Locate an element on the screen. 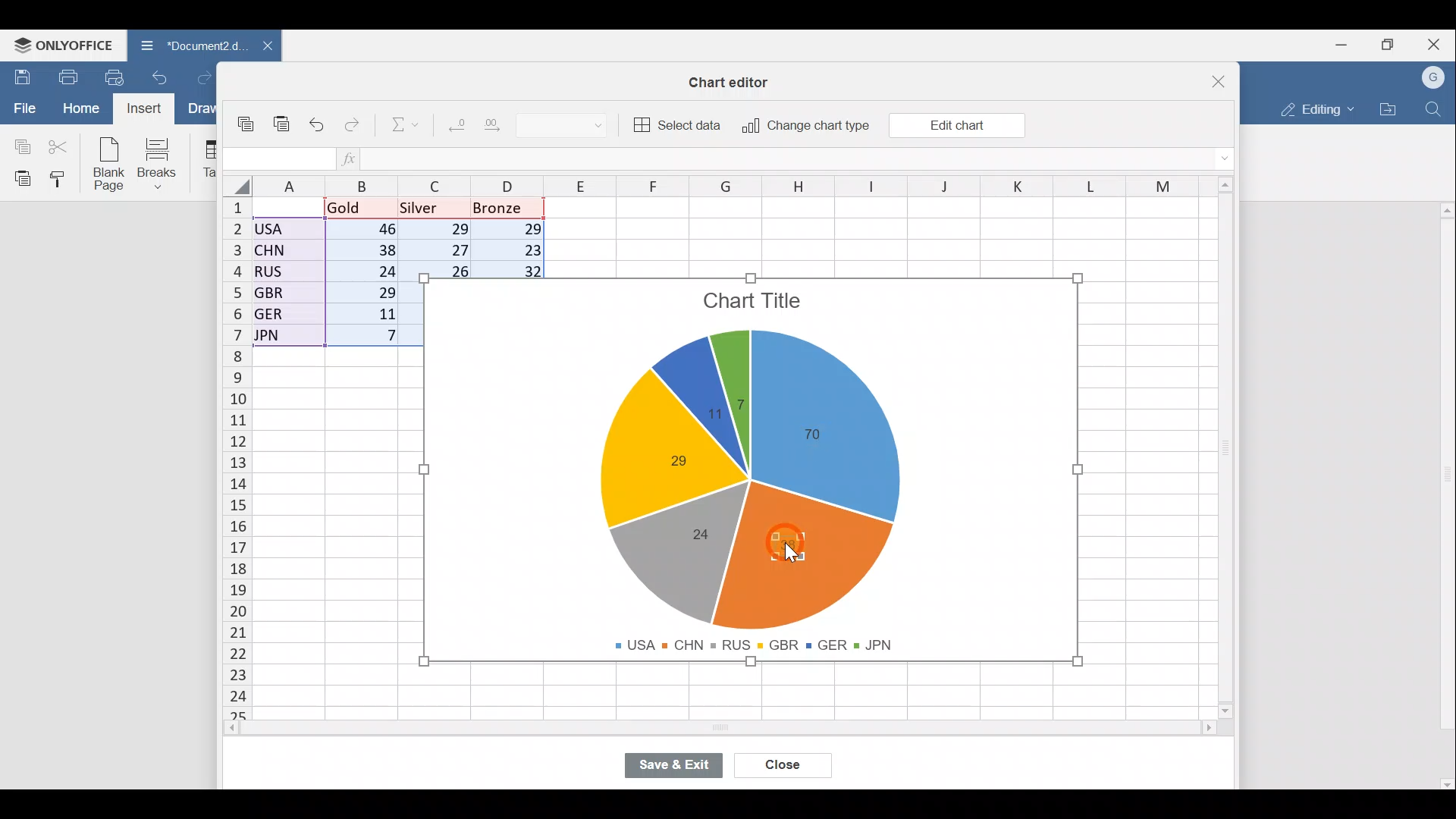 The height and width of the screenshot is (819, 1456). ONLYOFFICE Menu is located at coordinates (61, 45).